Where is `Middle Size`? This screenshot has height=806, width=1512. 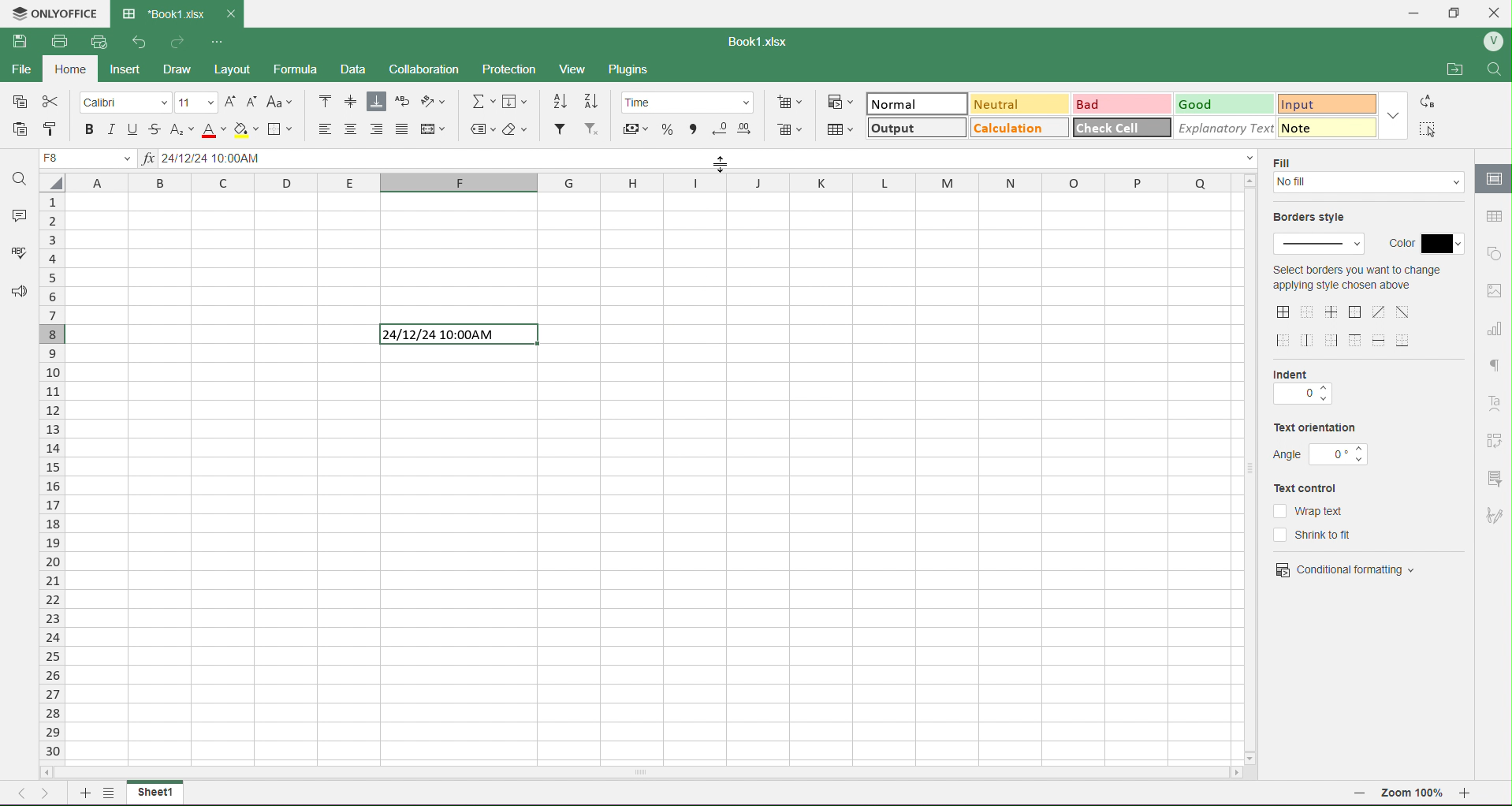 Middle Size is located at coordinates (349, 101).